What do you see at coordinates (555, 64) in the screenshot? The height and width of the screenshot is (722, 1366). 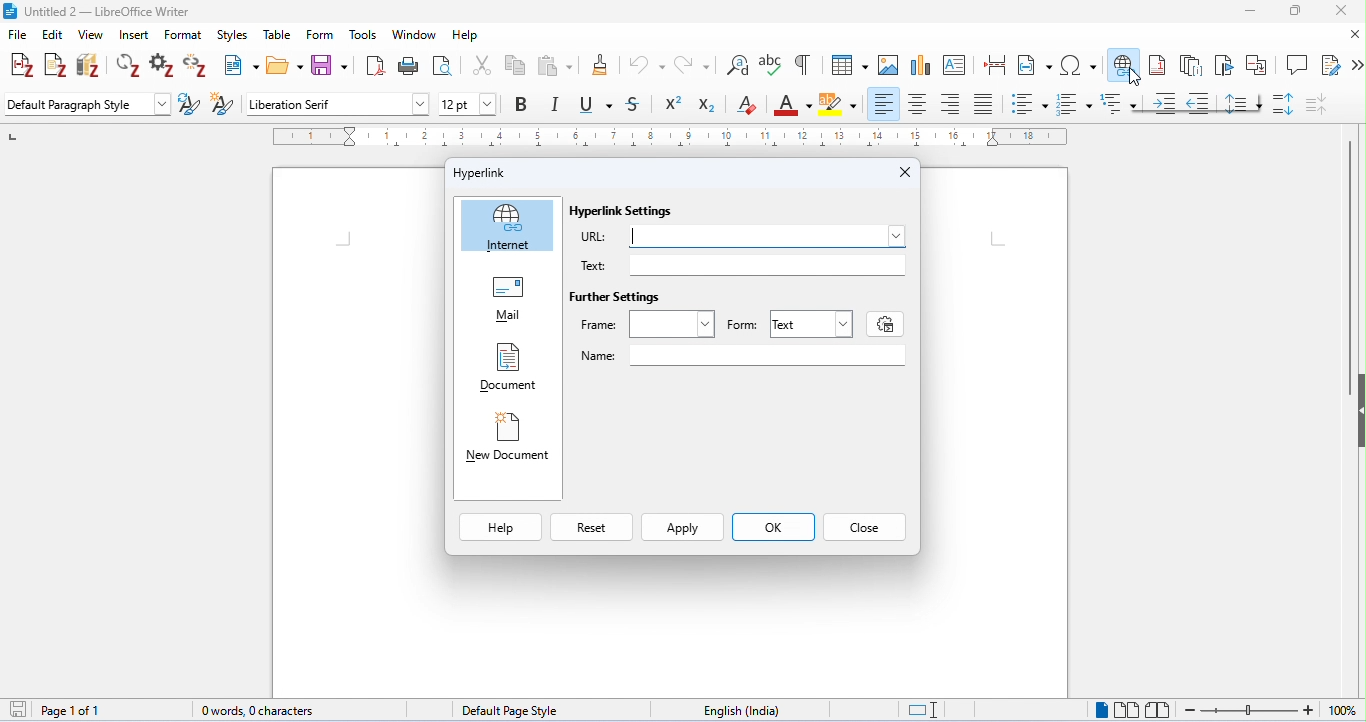 I see `paste` at bounding box center [555, 64].